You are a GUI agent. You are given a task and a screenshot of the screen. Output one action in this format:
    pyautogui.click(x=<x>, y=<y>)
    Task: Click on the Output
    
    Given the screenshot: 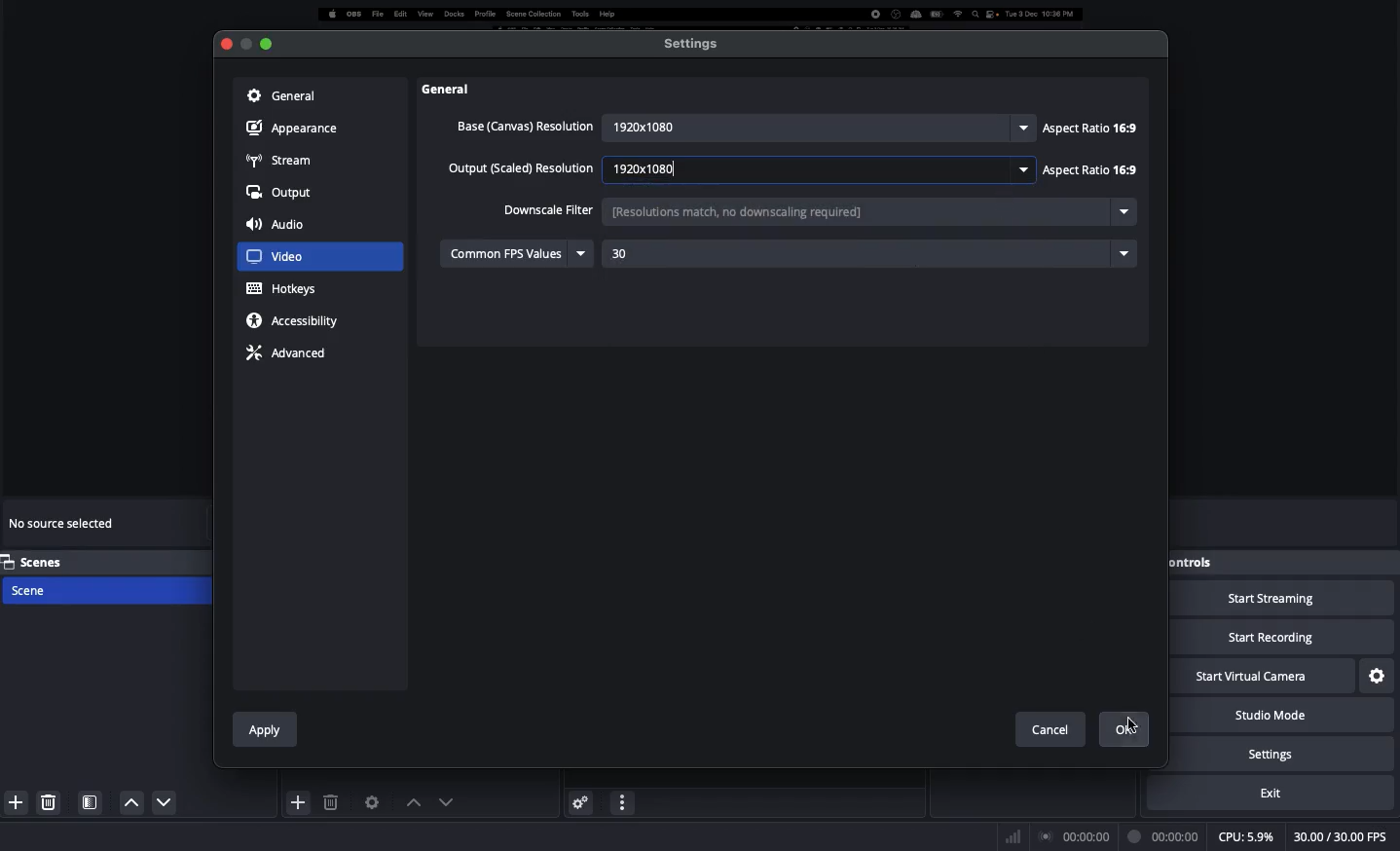 What is the action you would take?
    pyautogui.click(x=280, y=194)
    